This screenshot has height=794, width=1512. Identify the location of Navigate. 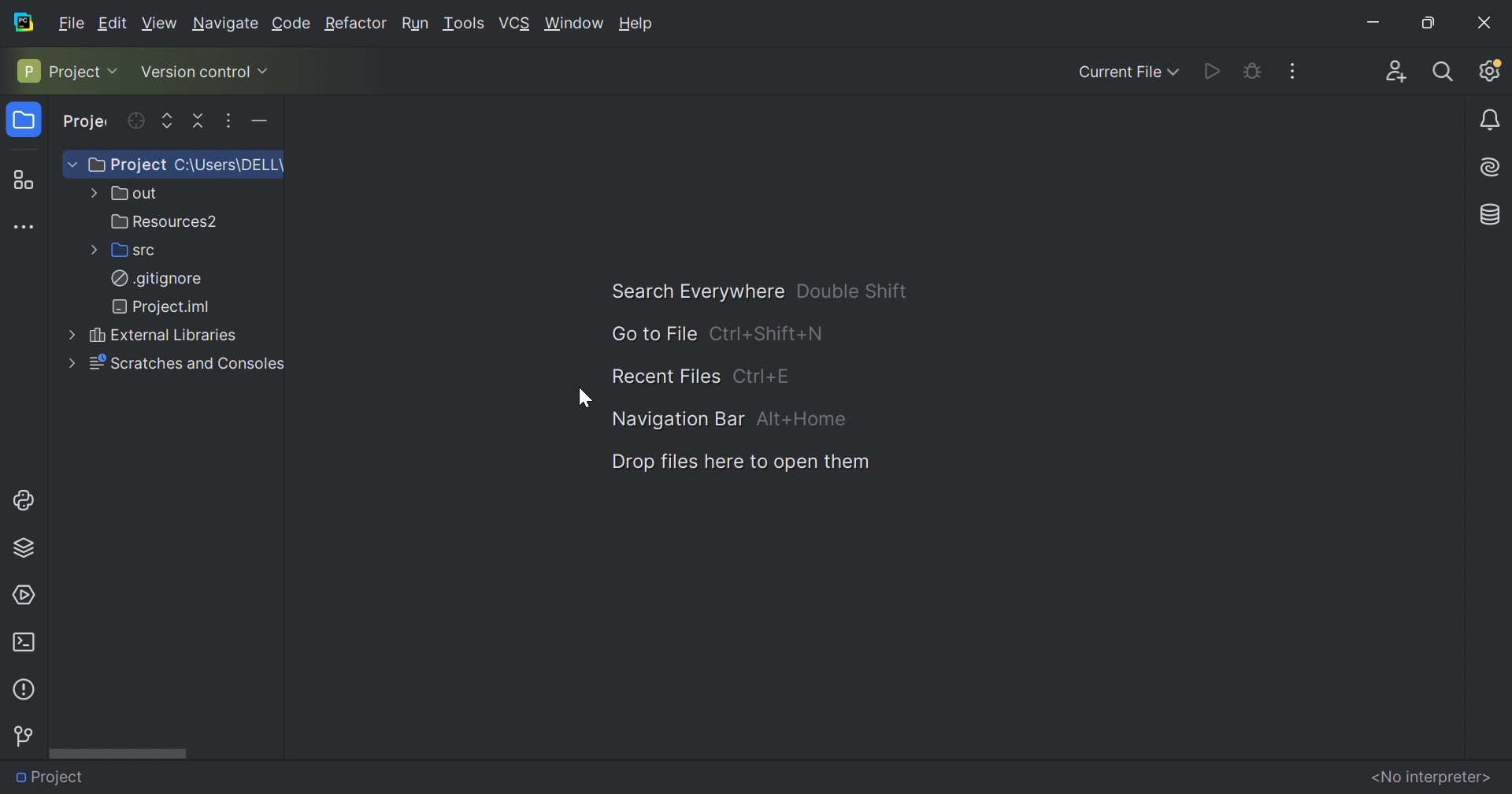
(225, 24).